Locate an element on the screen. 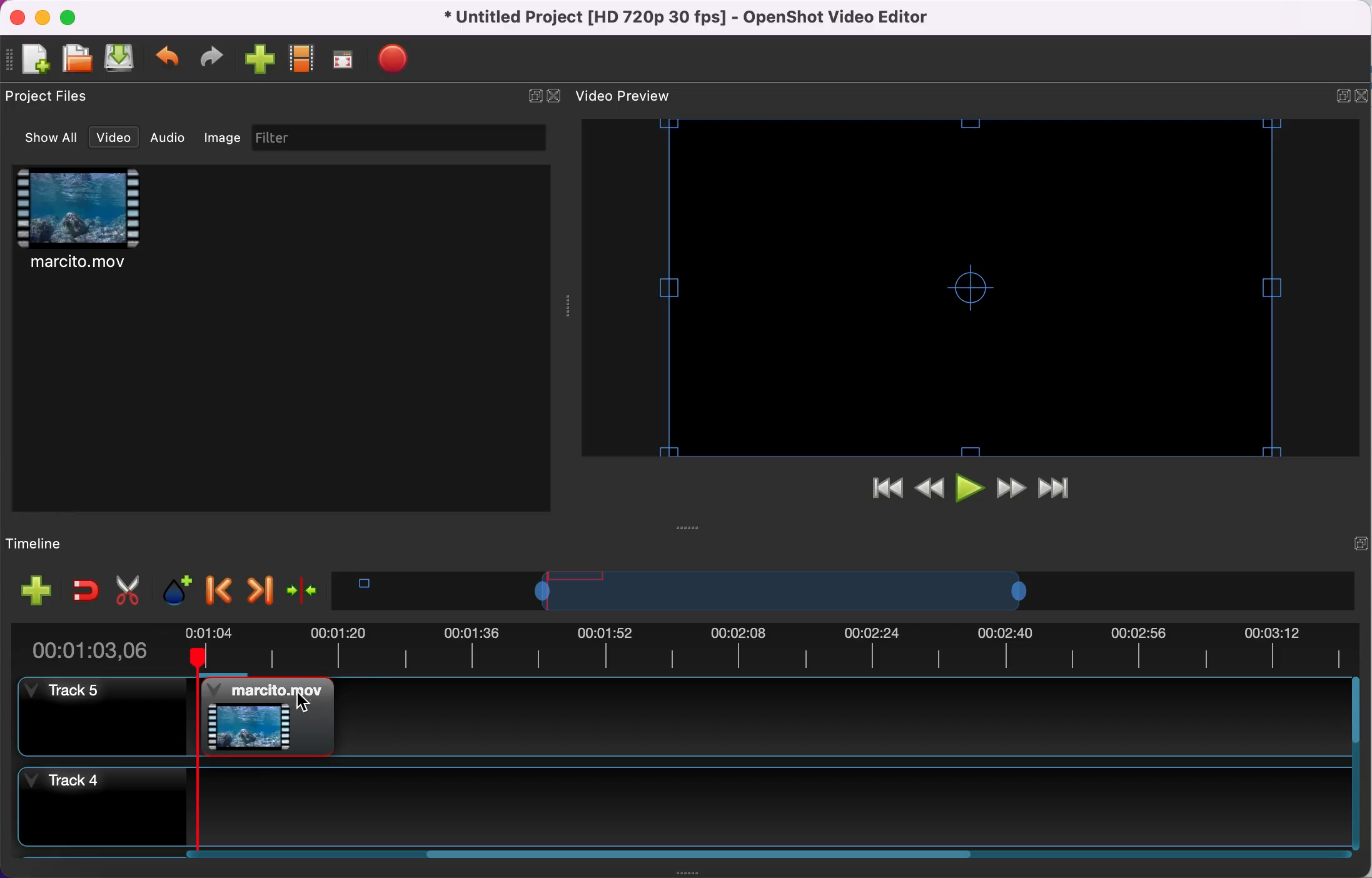  choose profile is located at coordinates (302, 60).